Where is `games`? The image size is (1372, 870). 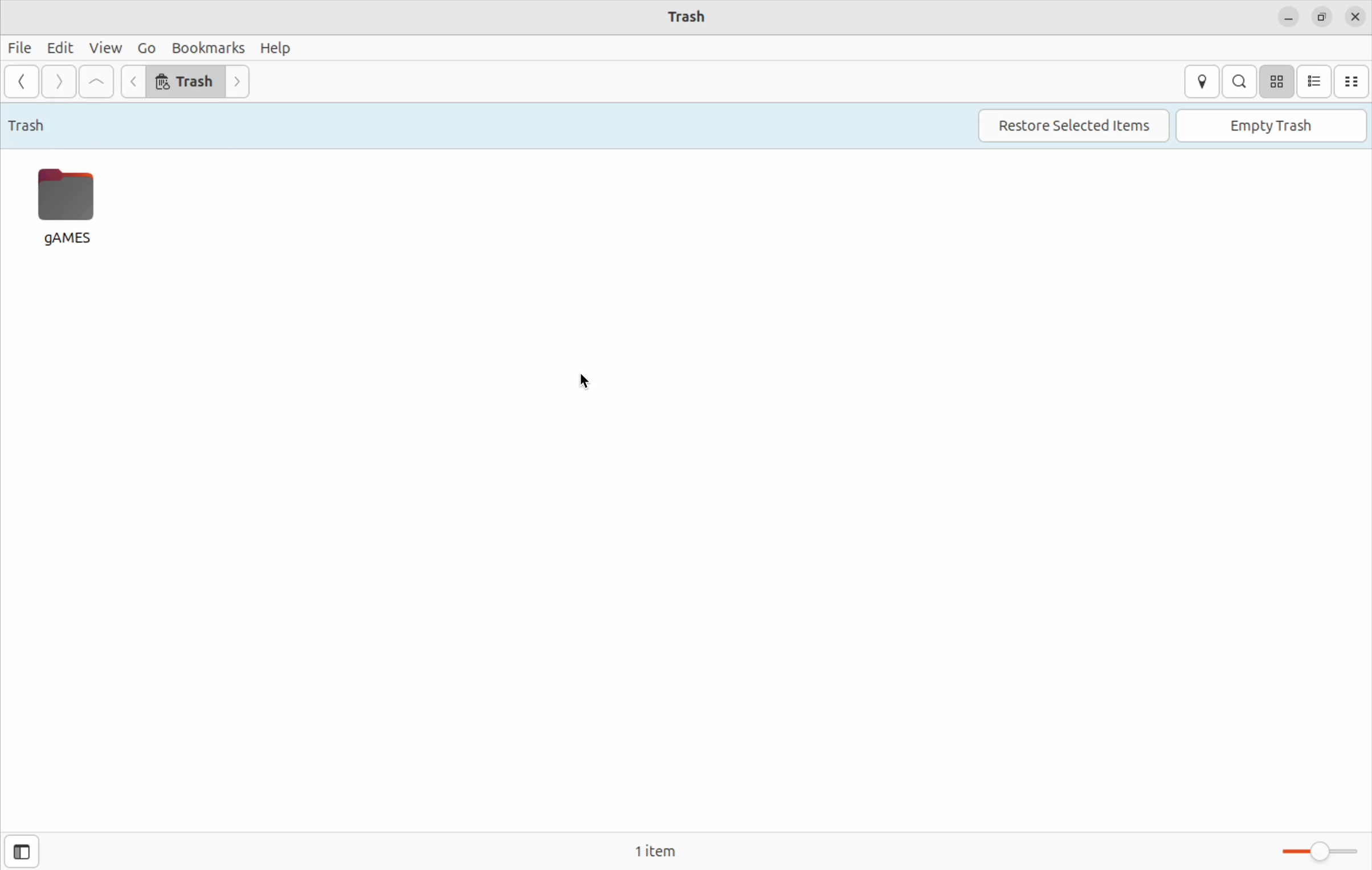
games is located at coordinates (73, 206).